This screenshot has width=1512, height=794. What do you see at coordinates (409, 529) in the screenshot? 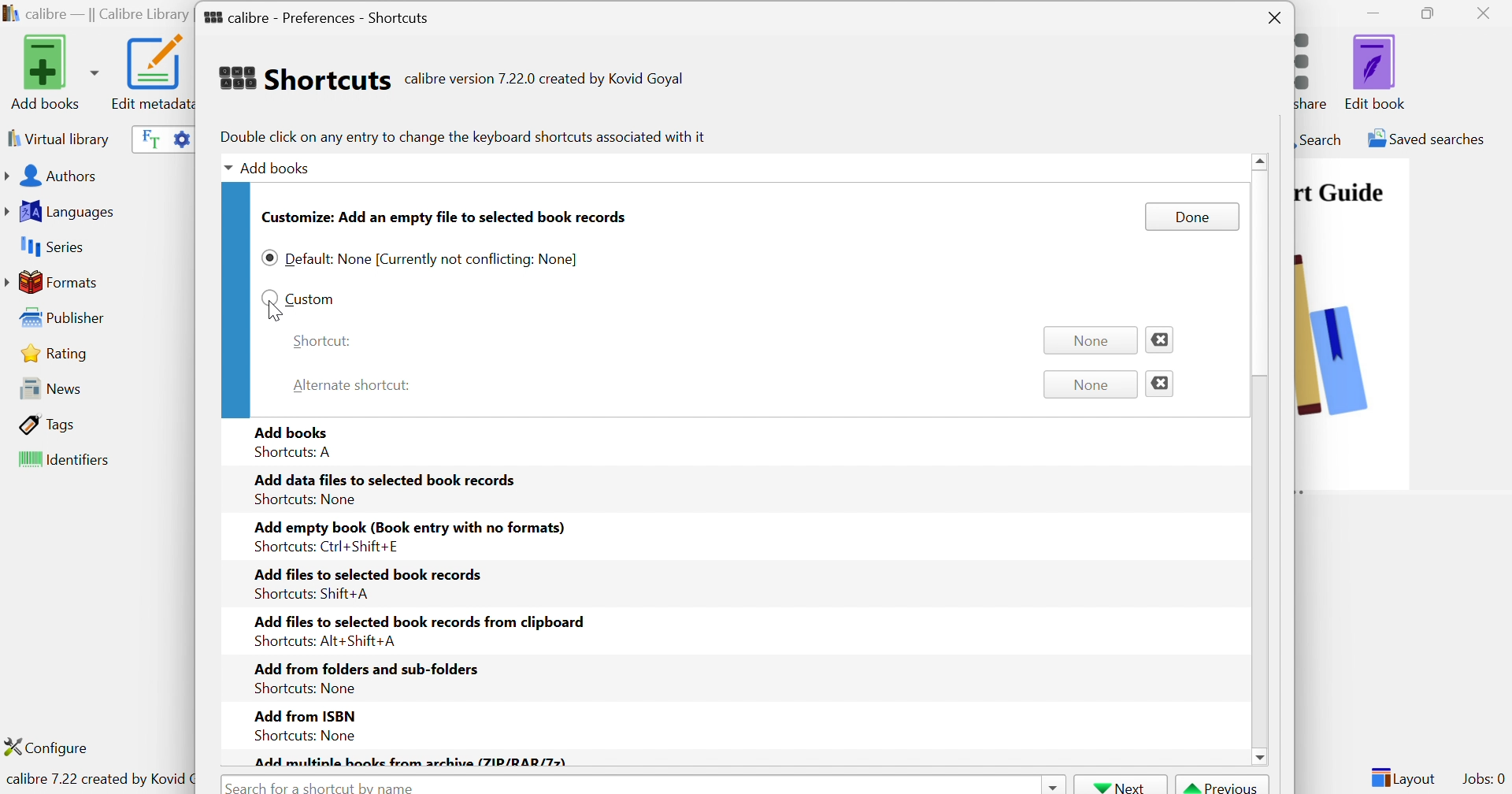
I see `Add empty book (Book entry with no formats)` at bounding box center [409, 529].